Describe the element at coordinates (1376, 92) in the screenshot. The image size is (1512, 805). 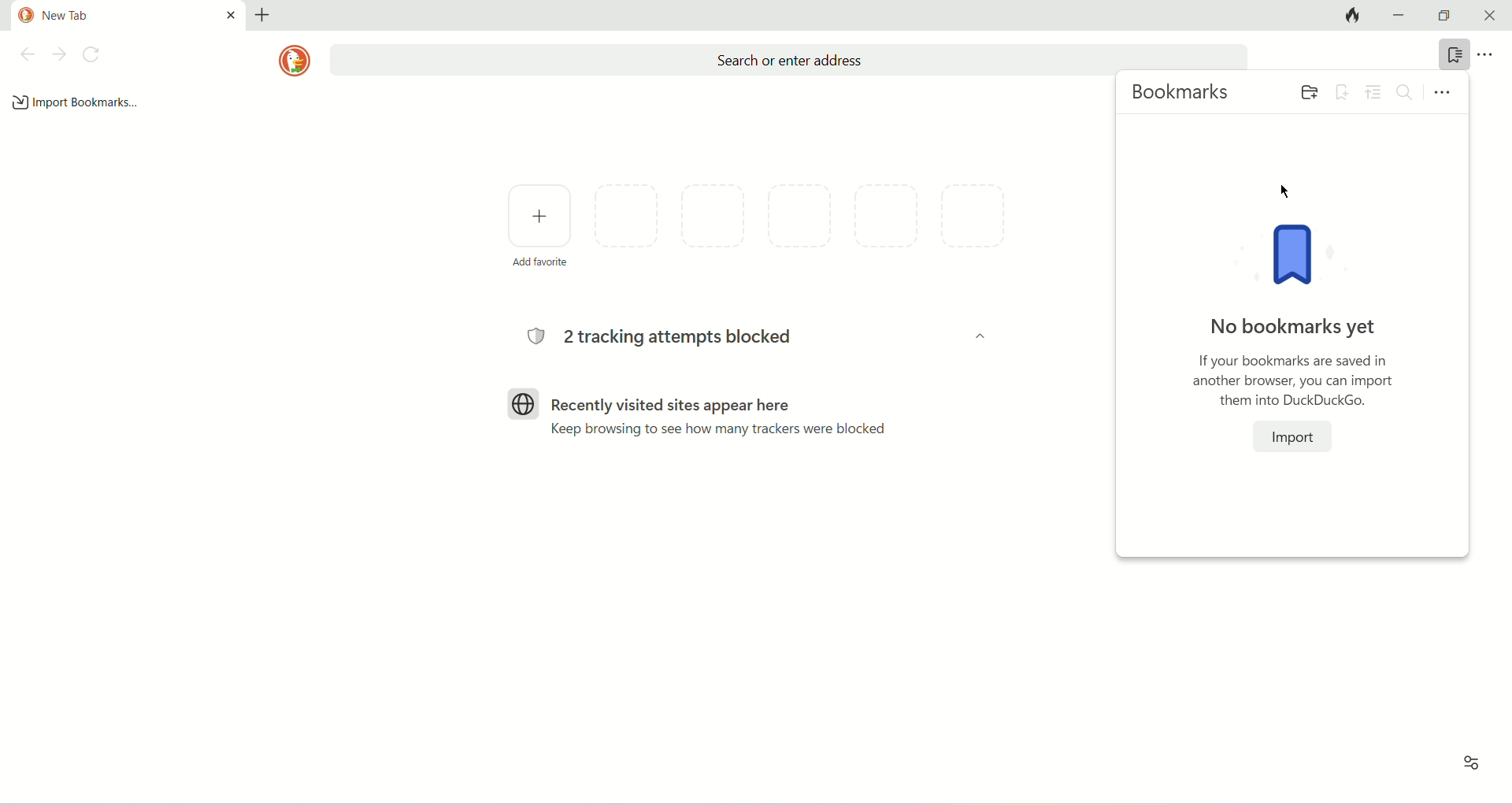
I see `view option` at that location.